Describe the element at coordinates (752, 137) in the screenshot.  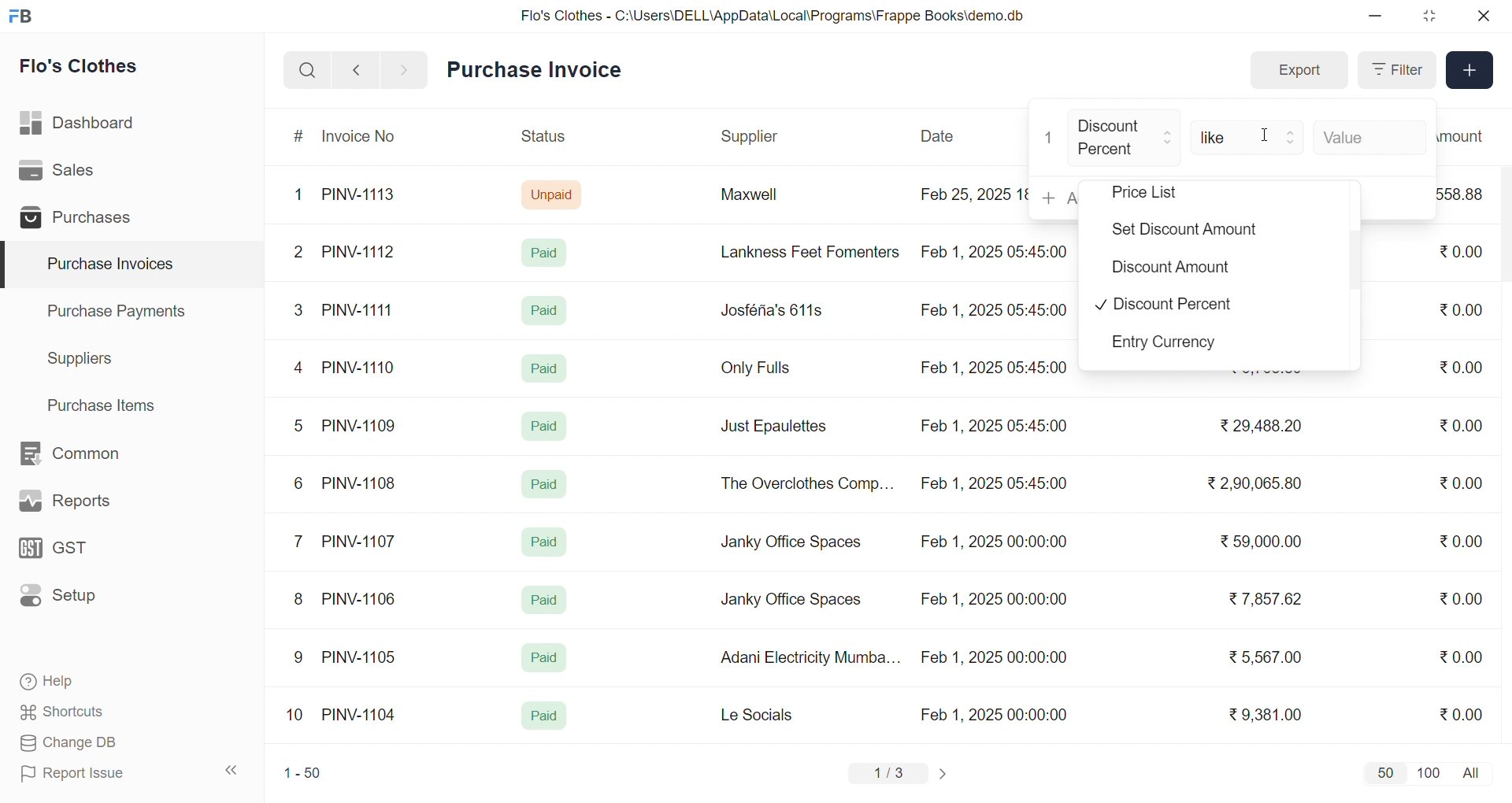
I see `Supplier` at that location.